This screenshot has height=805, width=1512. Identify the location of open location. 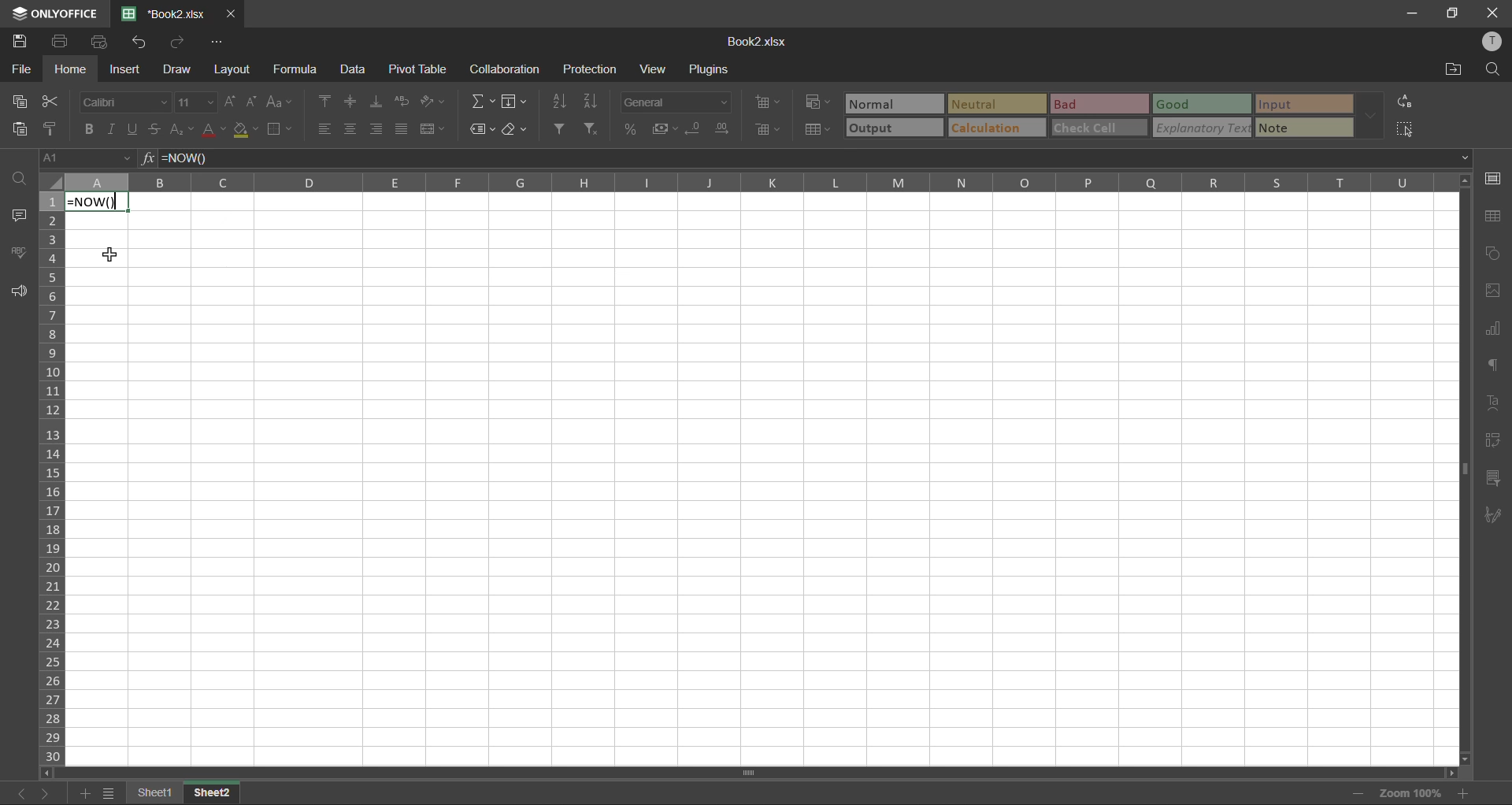
(1449, 70).